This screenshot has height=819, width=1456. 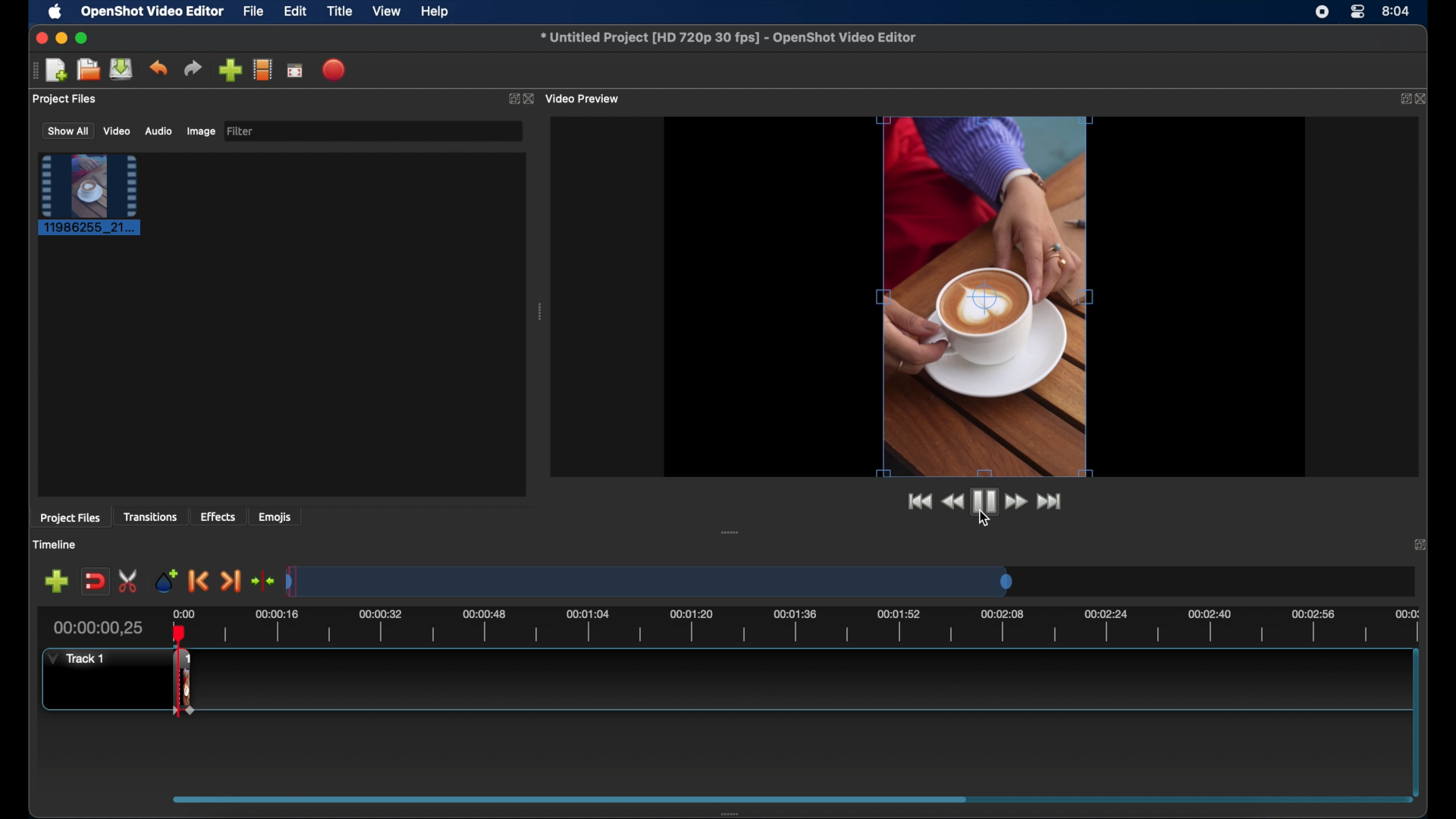 What do you see at coordinates (295, 69) in the screenshot?
I see `full screen` at bounding box center [295, 69].